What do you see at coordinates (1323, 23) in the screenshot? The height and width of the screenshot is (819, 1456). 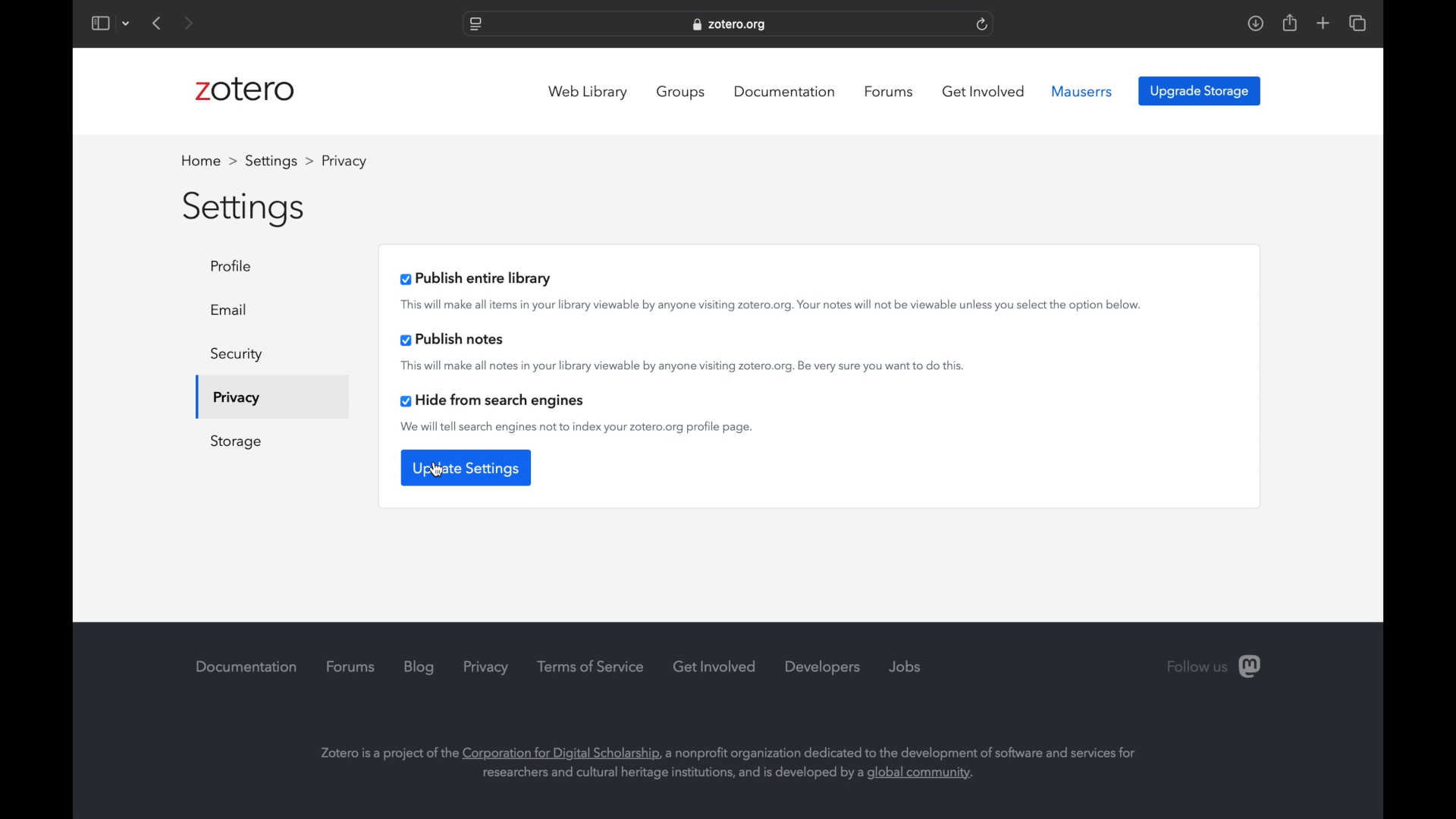 I see `new tab` at bounding box center [1323, 23].